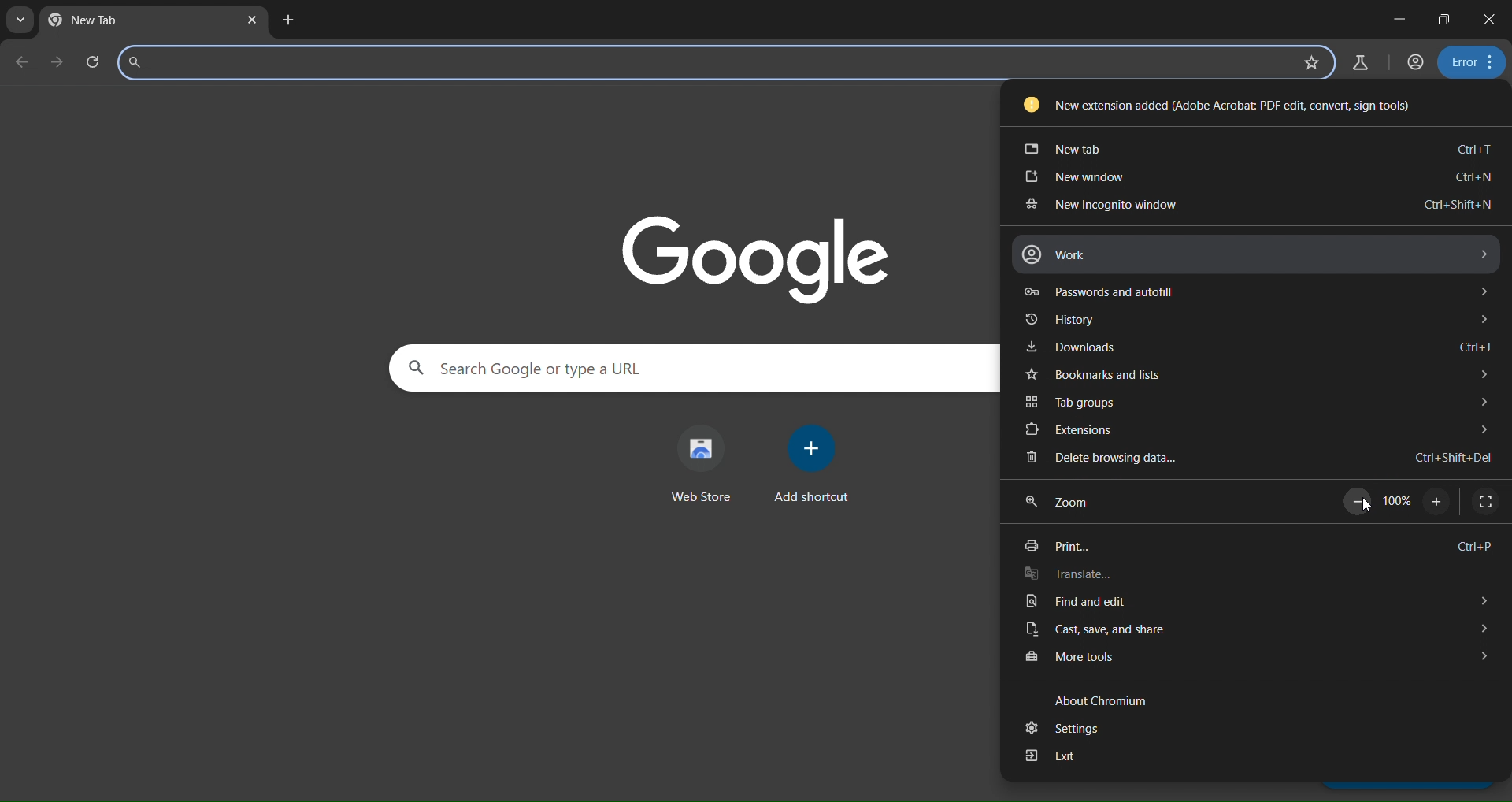  Describe the element at coordinates (98, 60) in the screenshot. I see `reload this page` at that location.